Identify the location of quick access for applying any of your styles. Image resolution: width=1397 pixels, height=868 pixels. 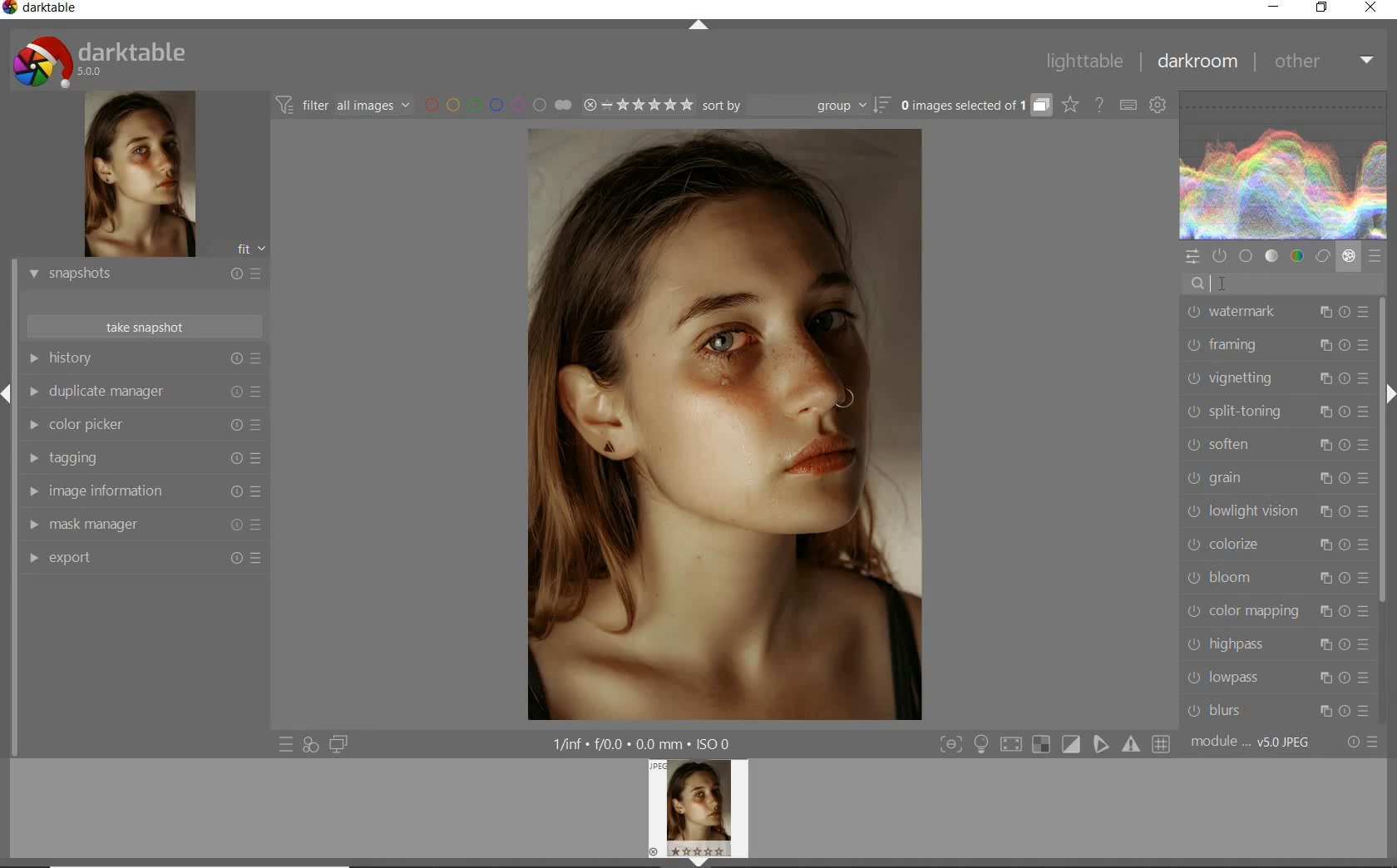
(309, 745).